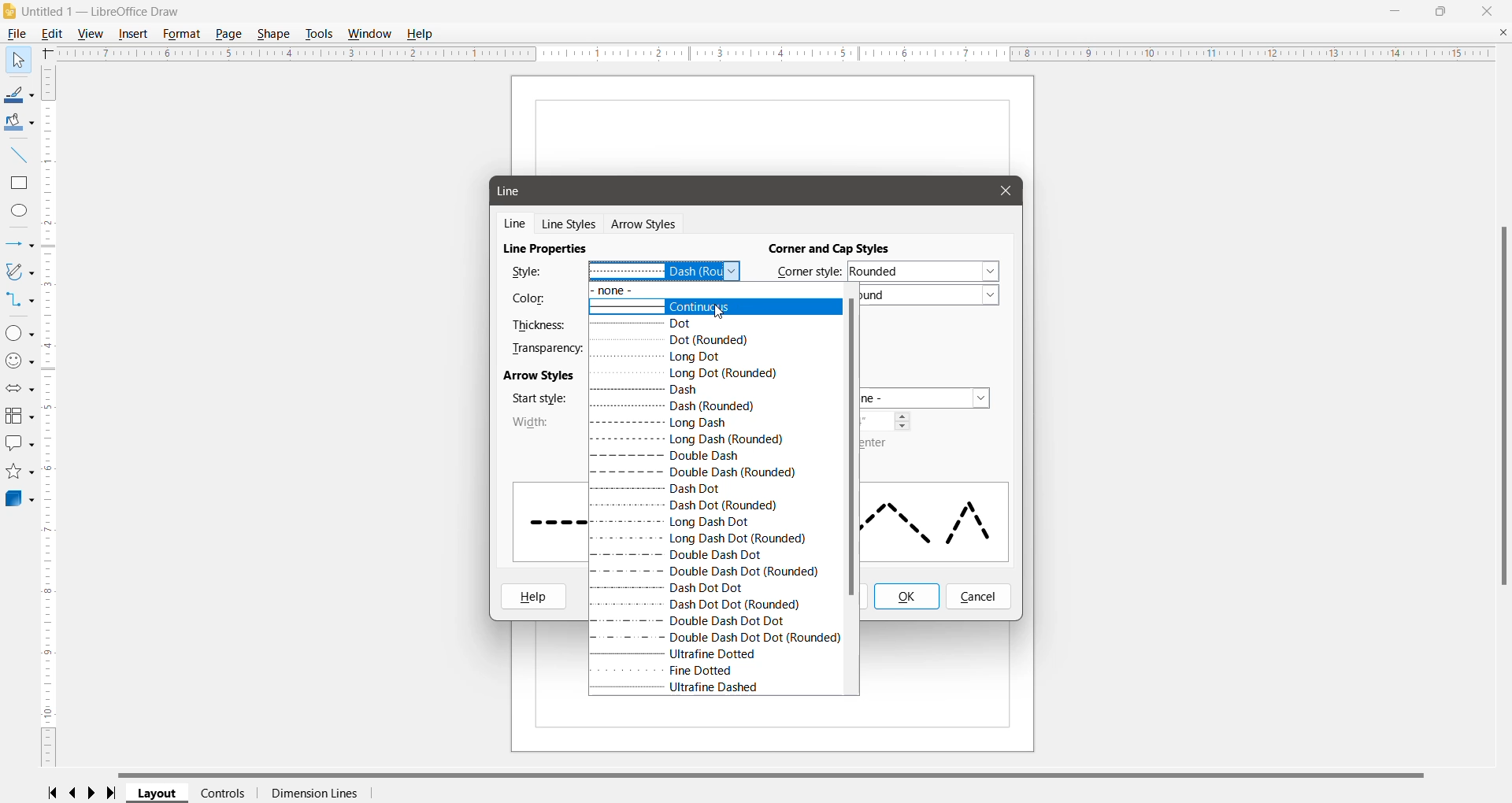 The image size is (1512, 803). I want to click on Scroll to last page, so click(112, 794).